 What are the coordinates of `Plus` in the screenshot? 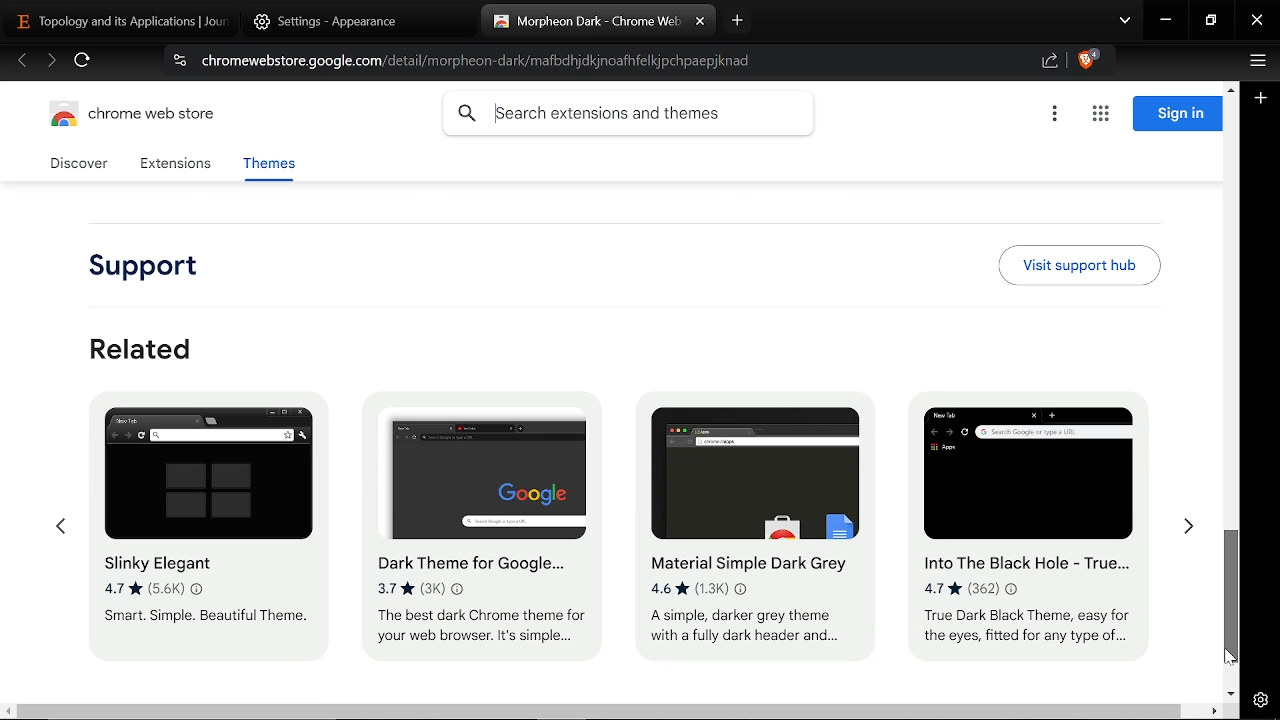 It's located at (1262, 100).